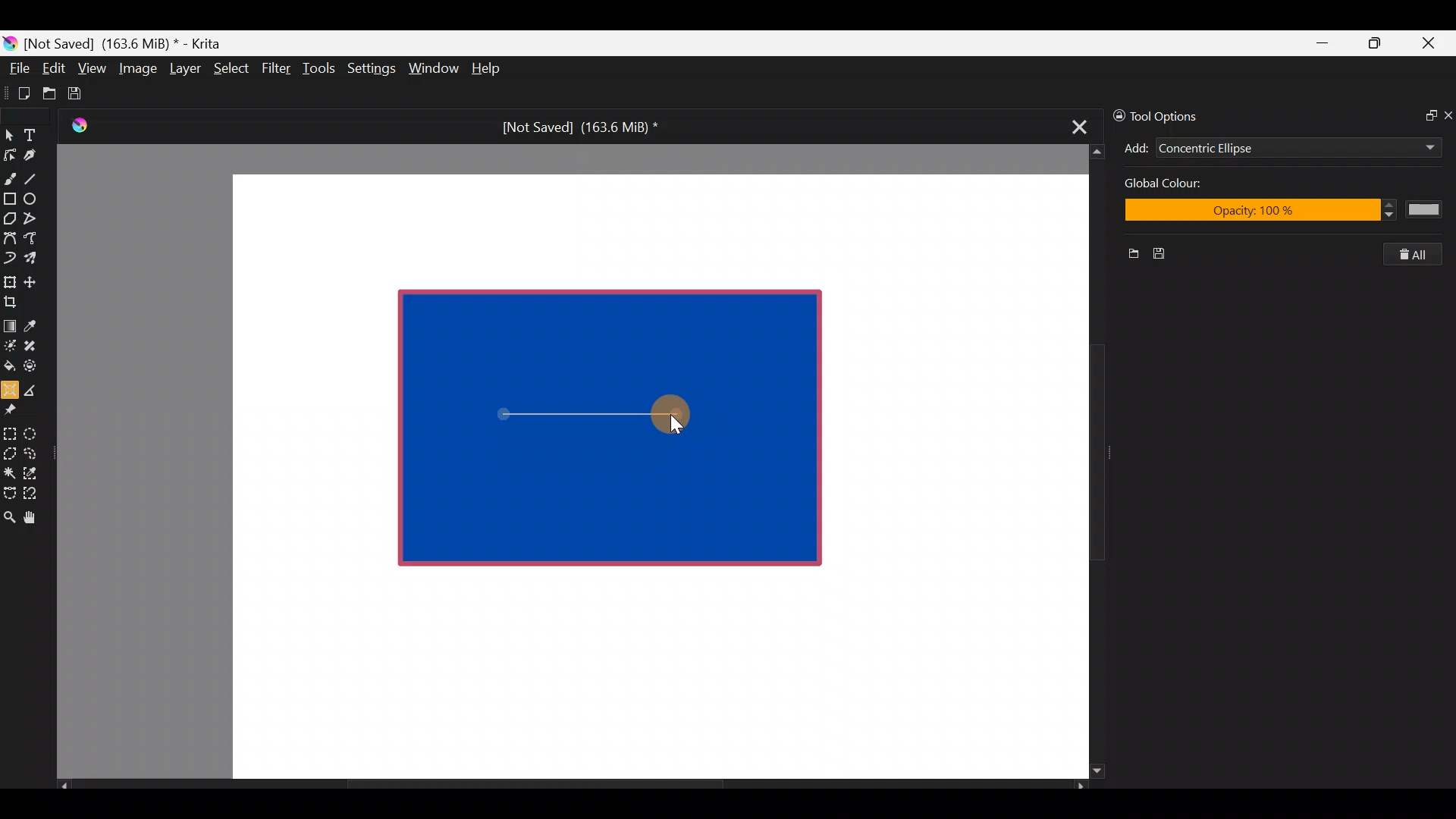 The image size is (1456, 819). Describe the element at coordinates (93, 68) in the screenshot. I see `View` at that location.